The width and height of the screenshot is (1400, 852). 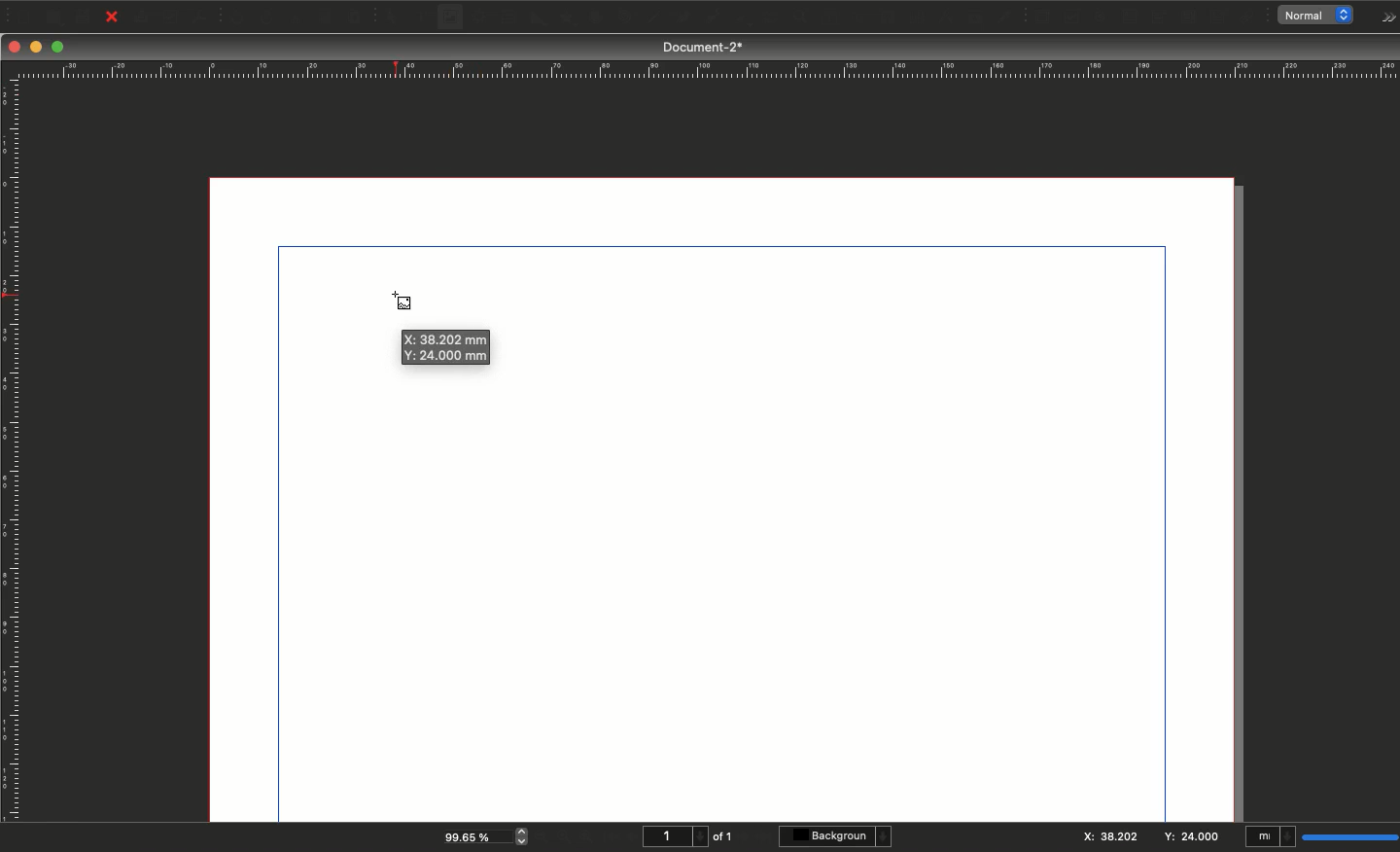 I want to click on Close, so click(x=15, y=47).